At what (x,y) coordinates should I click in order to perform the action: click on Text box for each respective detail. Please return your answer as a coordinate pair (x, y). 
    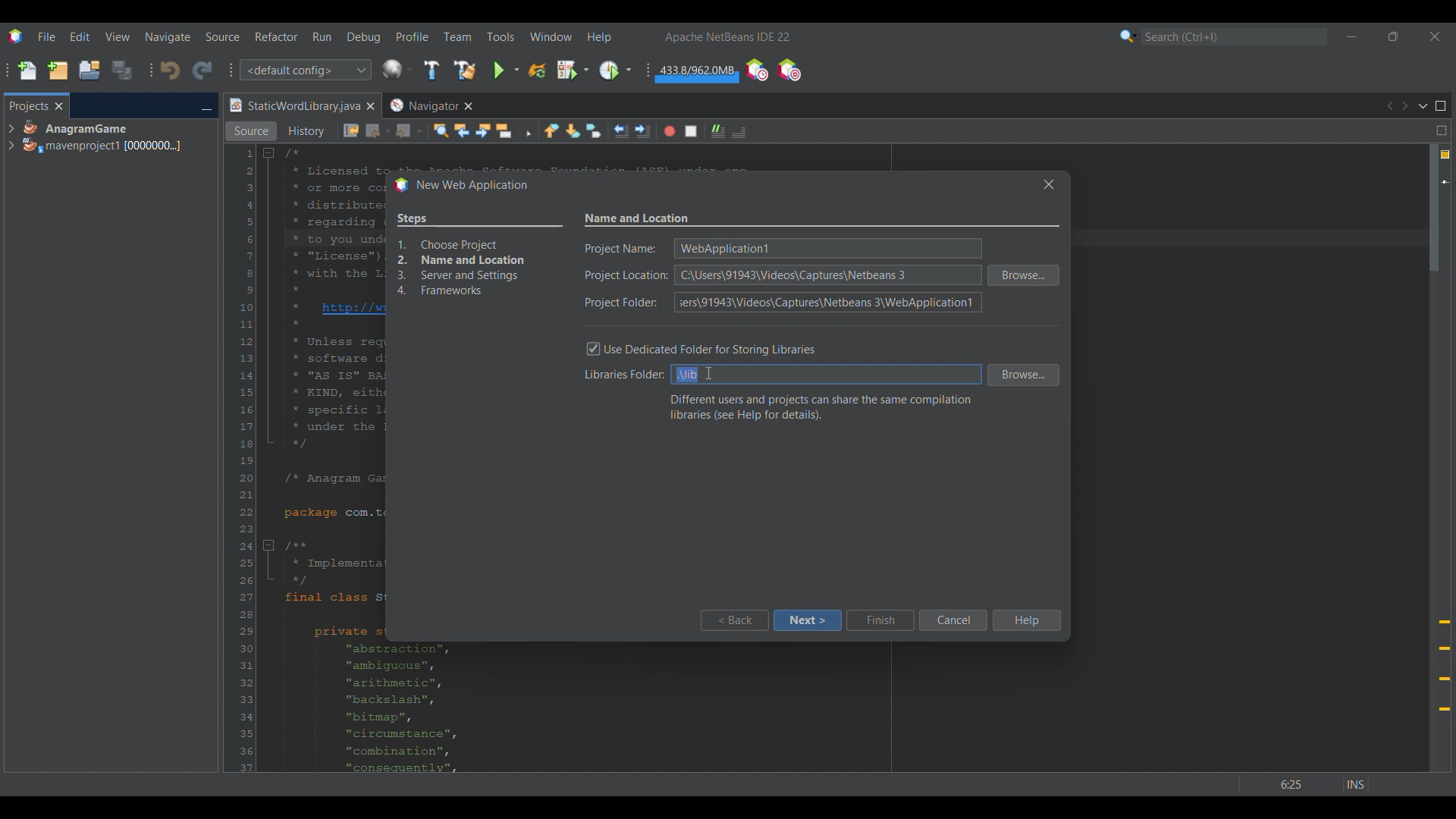
    Looking at the image, I should click on (825, 274).